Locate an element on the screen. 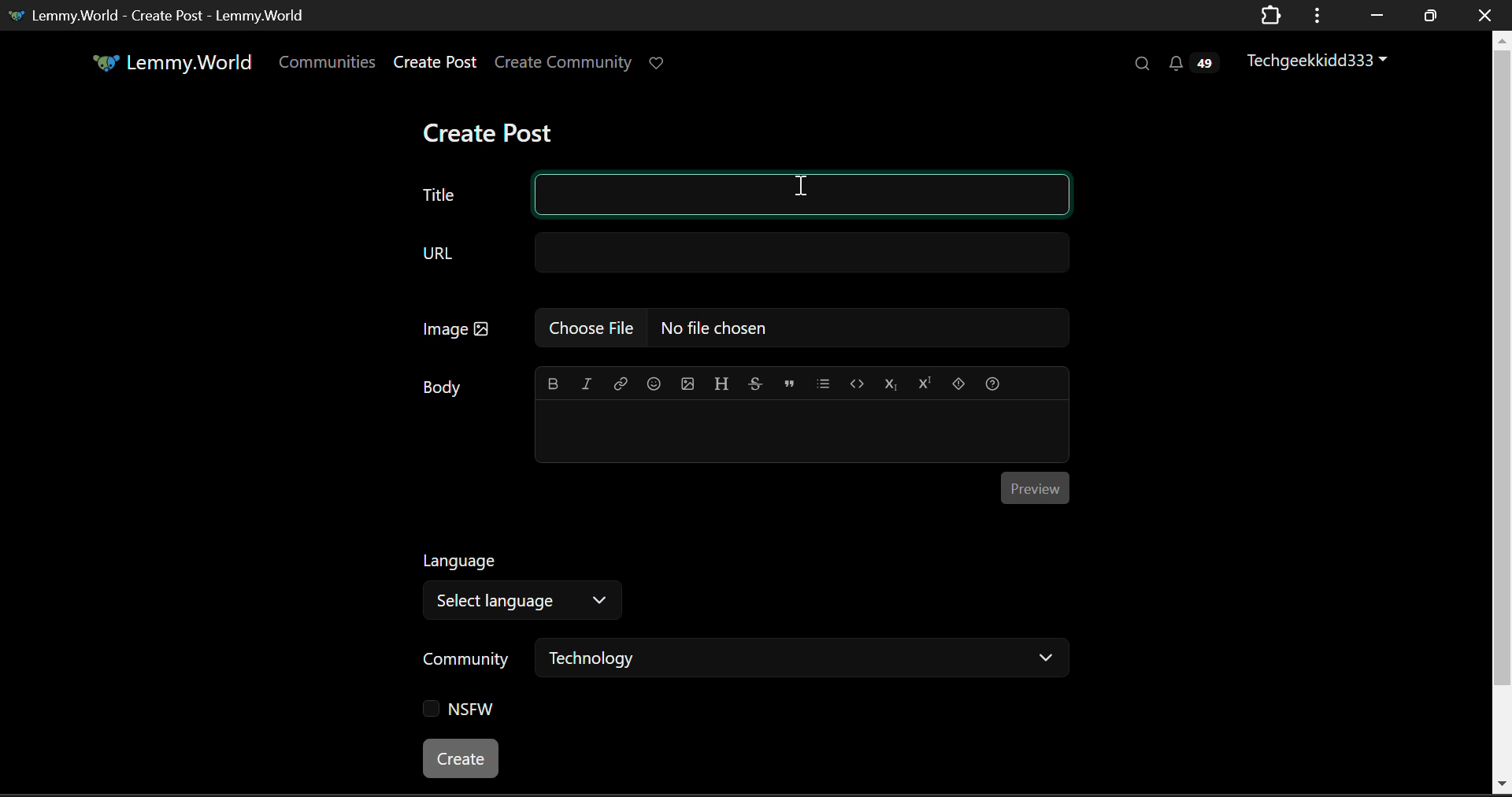  Superscript is located at coordinates (925, 385).